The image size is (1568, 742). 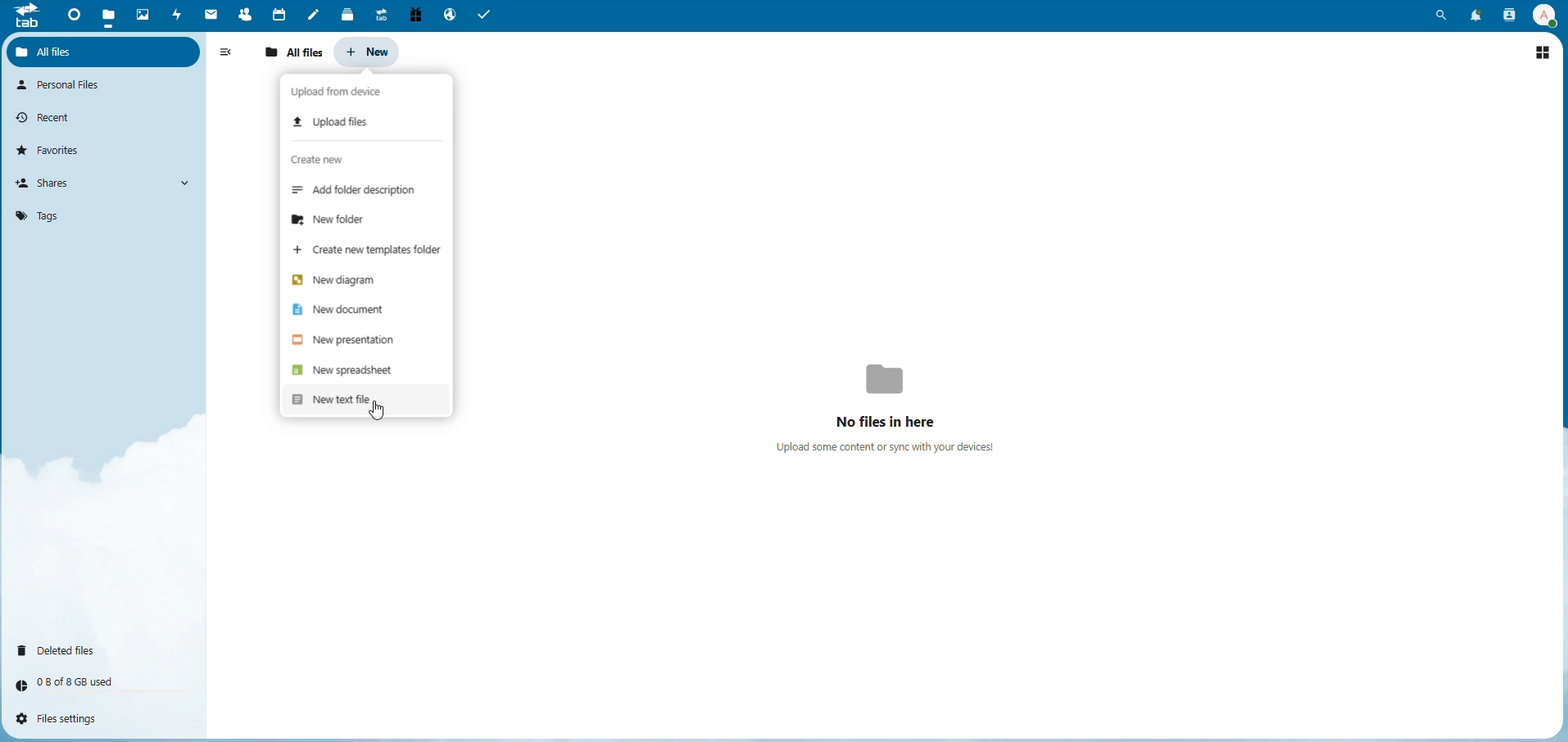 I want to click on All Files, so click(x=296, y=52).